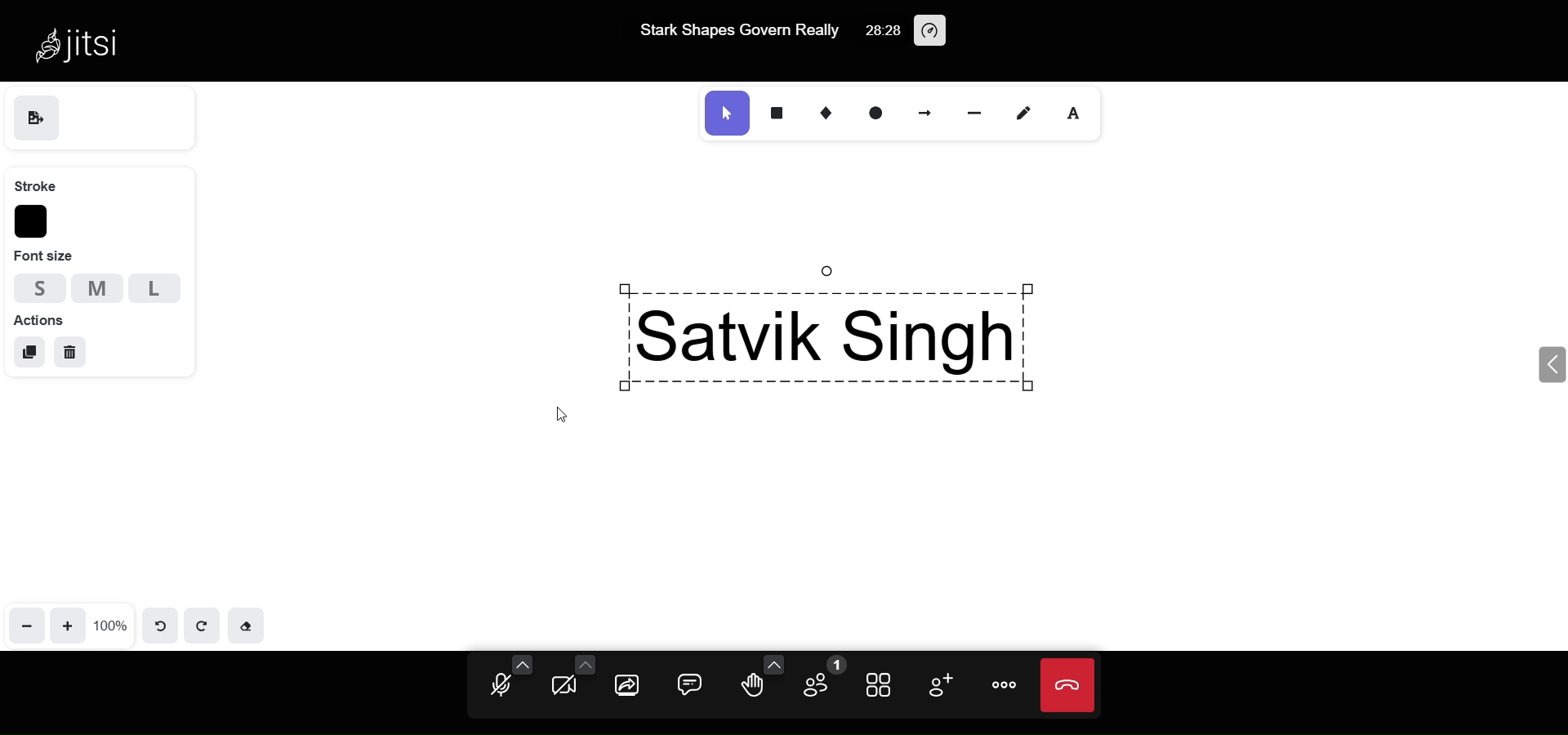  What do you see at coordinates (162, 625) in the screenshot?
I see `undo` at bounding box center [162, 625].